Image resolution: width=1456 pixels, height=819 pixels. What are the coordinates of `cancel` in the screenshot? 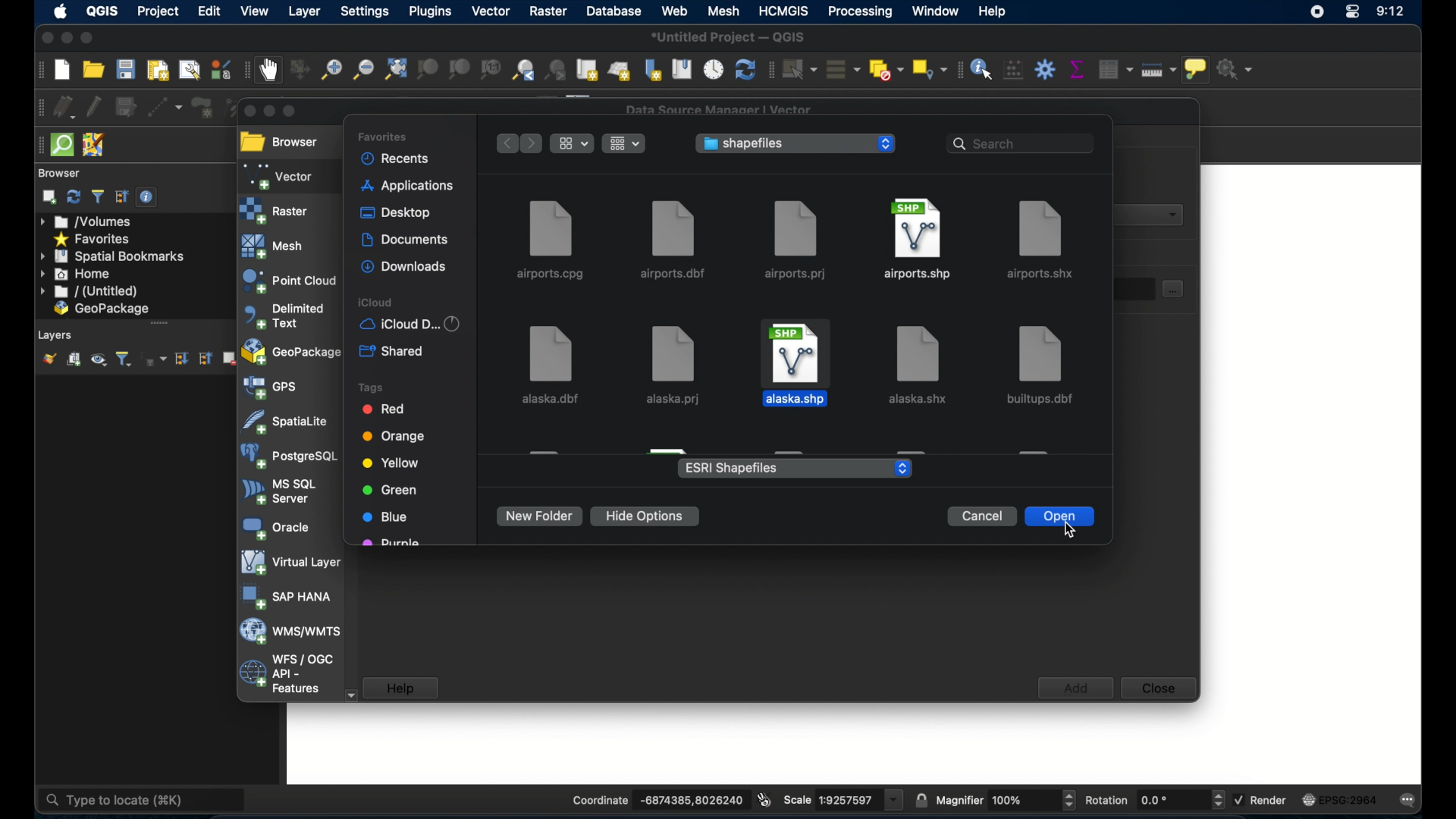 It's located at (982, 516).